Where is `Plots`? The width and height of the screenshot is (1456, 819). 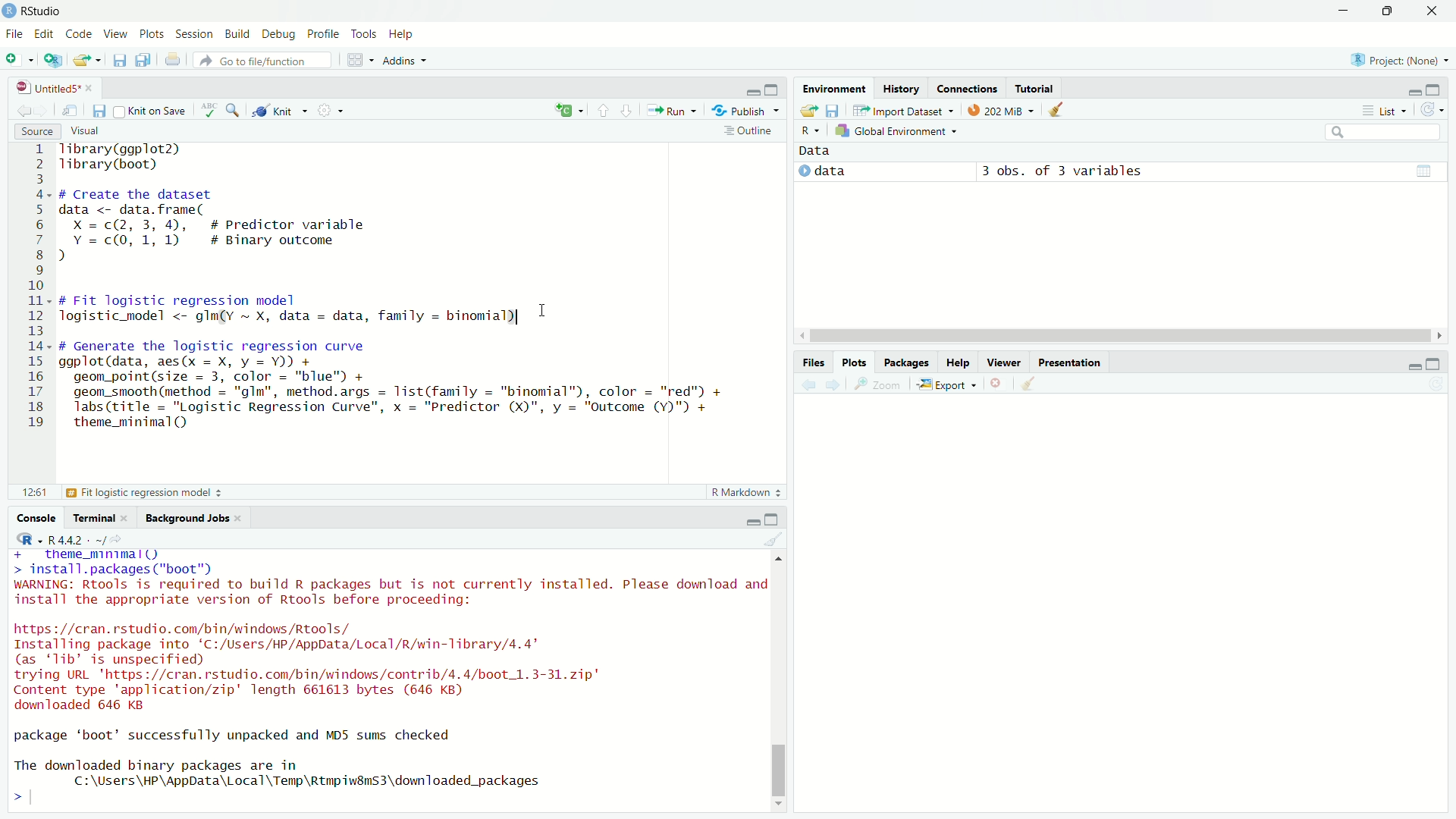 Plots is located at coordinates (151, 33).